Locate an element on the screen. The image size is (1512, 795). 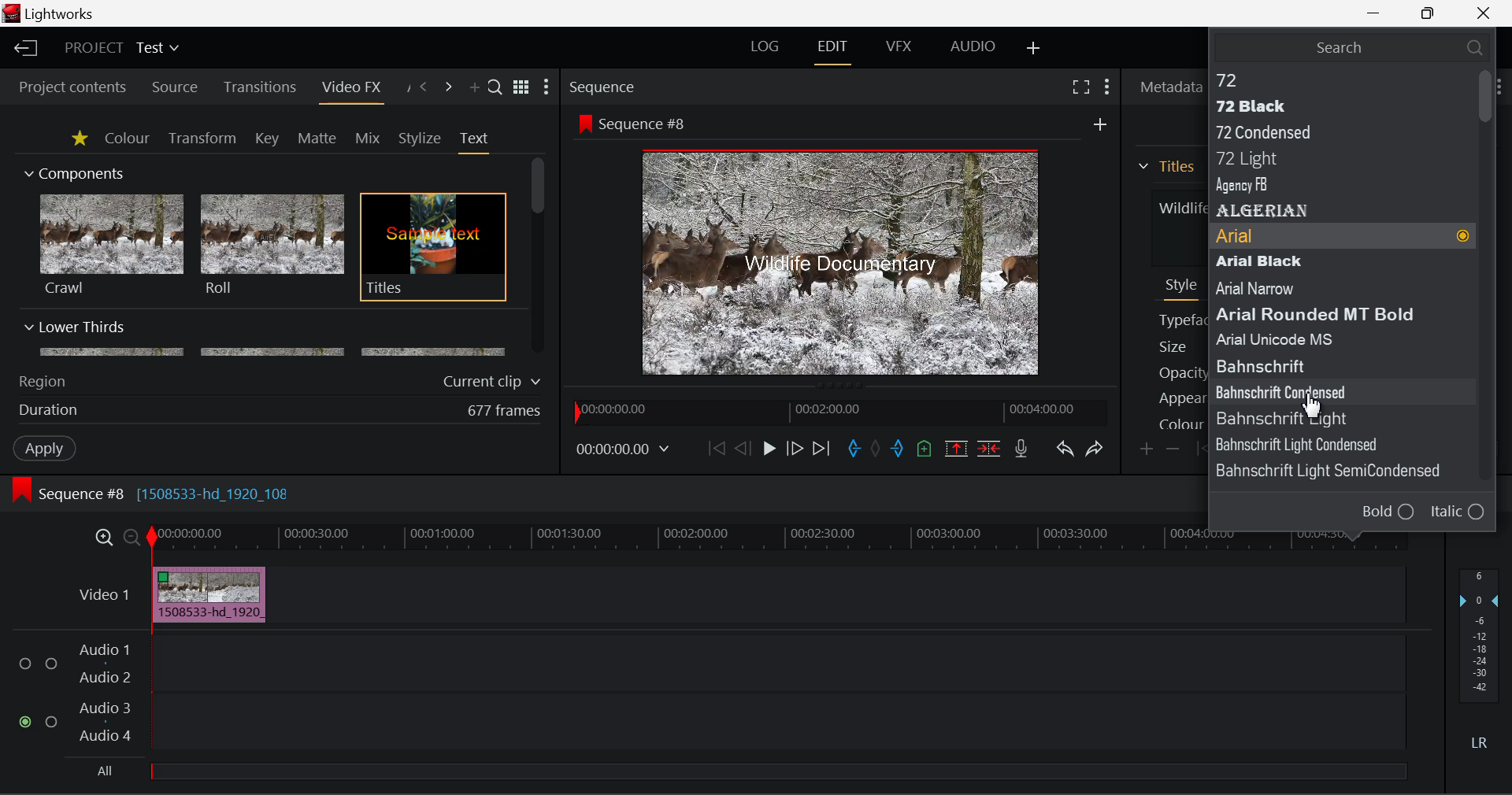
Remove all marks is located at coordinates (877, 450).